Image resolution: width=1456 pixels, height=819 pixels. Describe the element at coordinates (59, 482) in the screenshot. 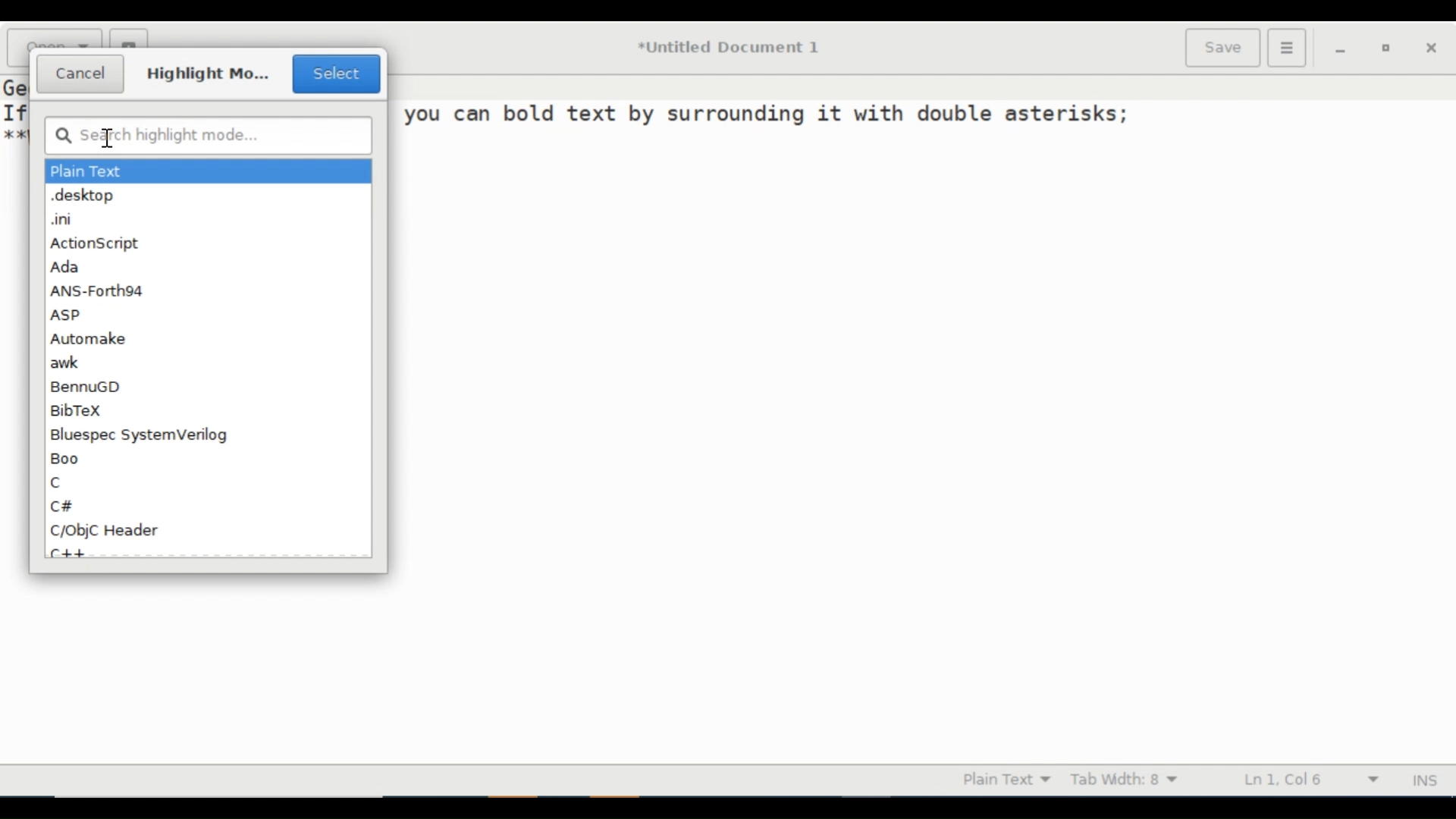

I see `C` at that location.